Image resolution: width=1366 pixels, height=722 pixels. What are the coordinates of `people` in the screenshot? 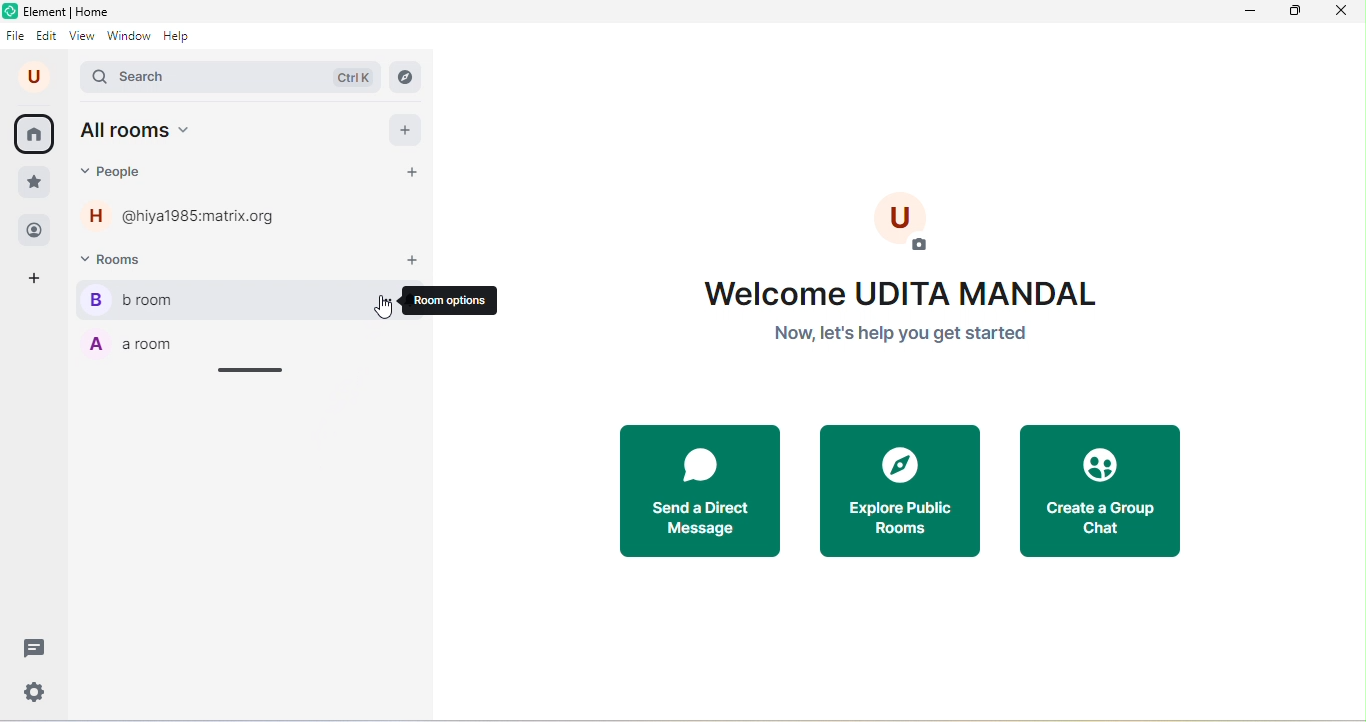 It's located at (35, 232).